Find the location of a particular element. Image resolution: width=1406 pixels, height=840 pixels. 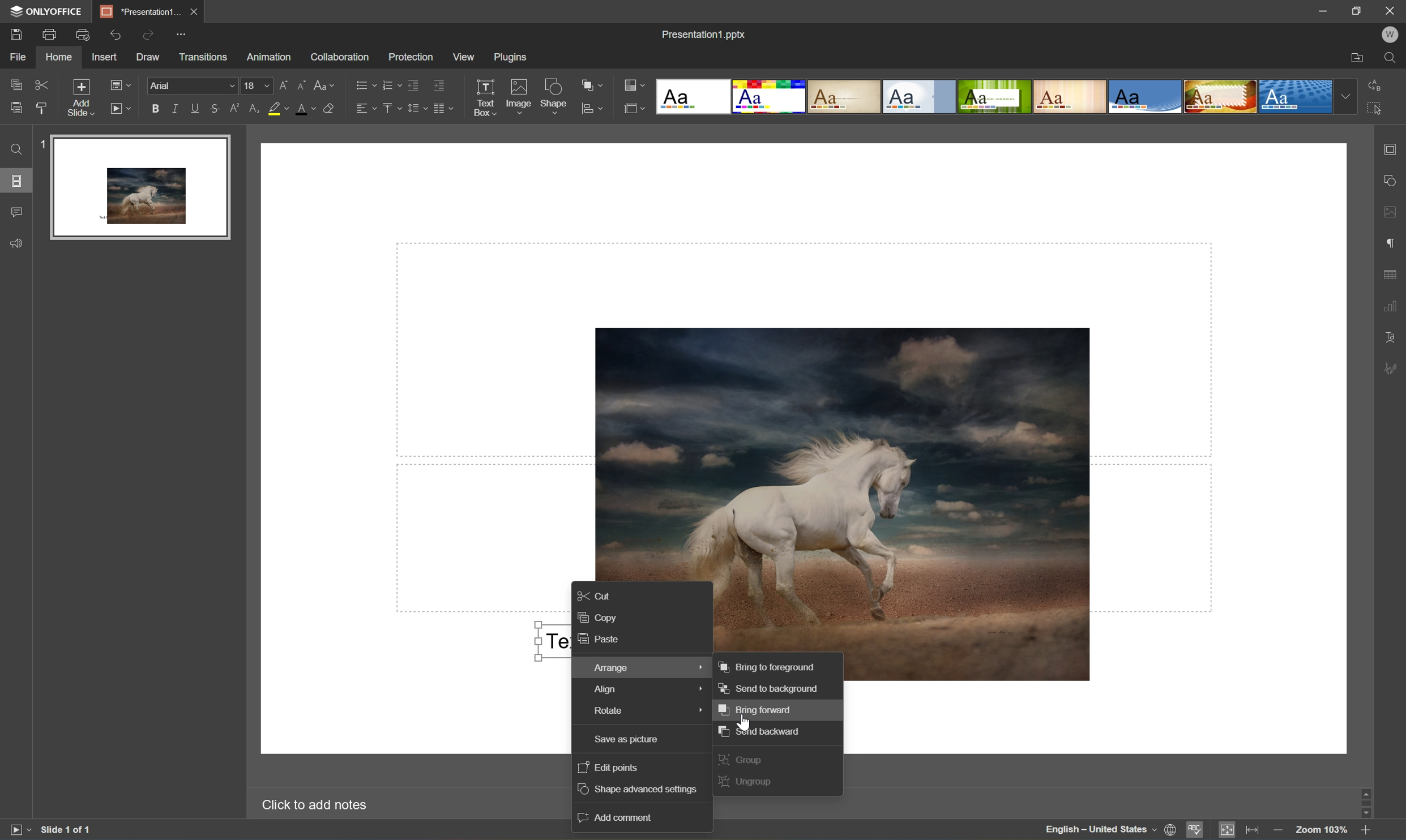

Save as picture is located at coordinates (639, 741).